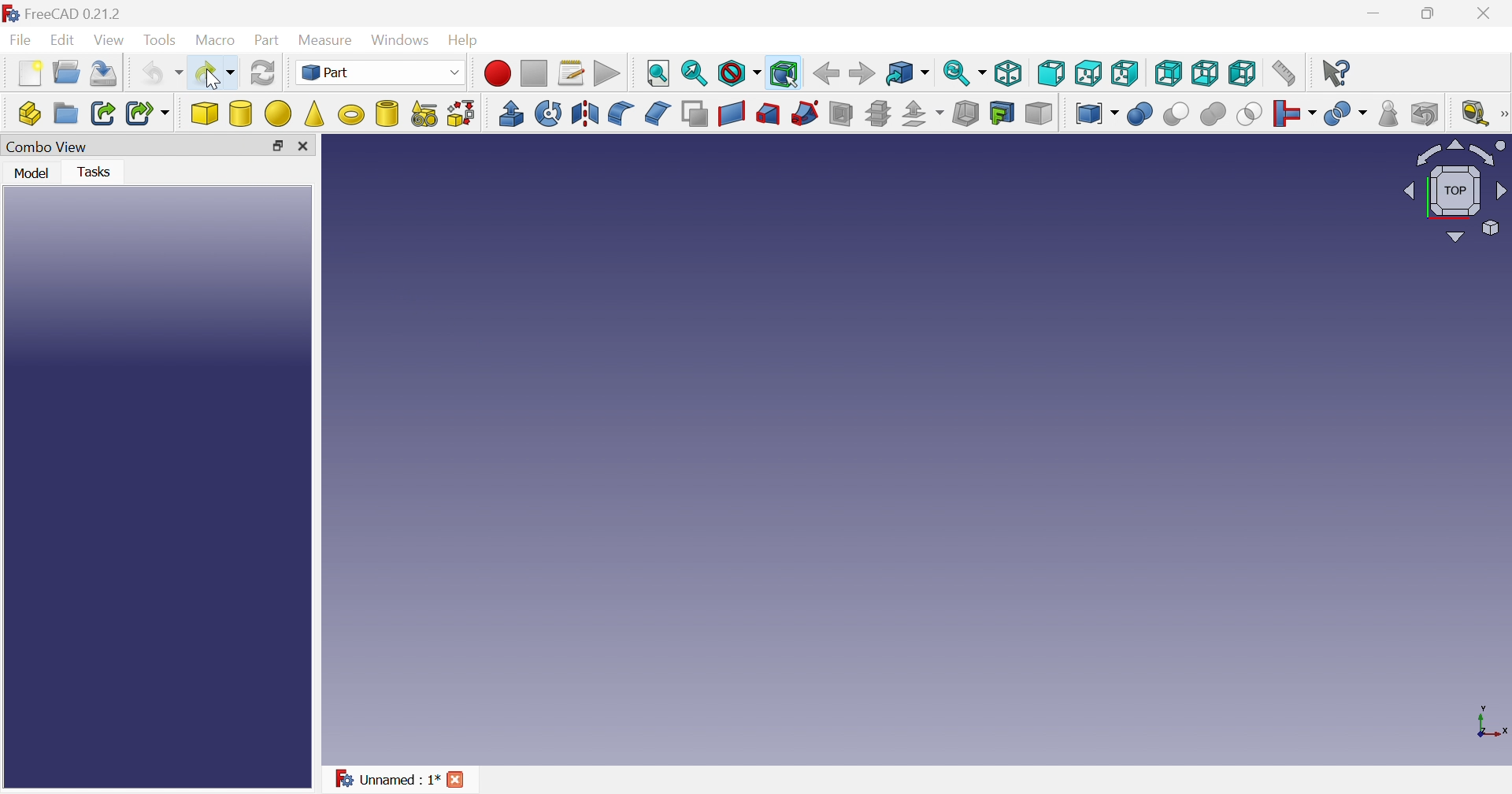  What do you see at coordinates (498, 74) in the screenshot?
I see `Macro recording...` at bounding box center [498, 74].